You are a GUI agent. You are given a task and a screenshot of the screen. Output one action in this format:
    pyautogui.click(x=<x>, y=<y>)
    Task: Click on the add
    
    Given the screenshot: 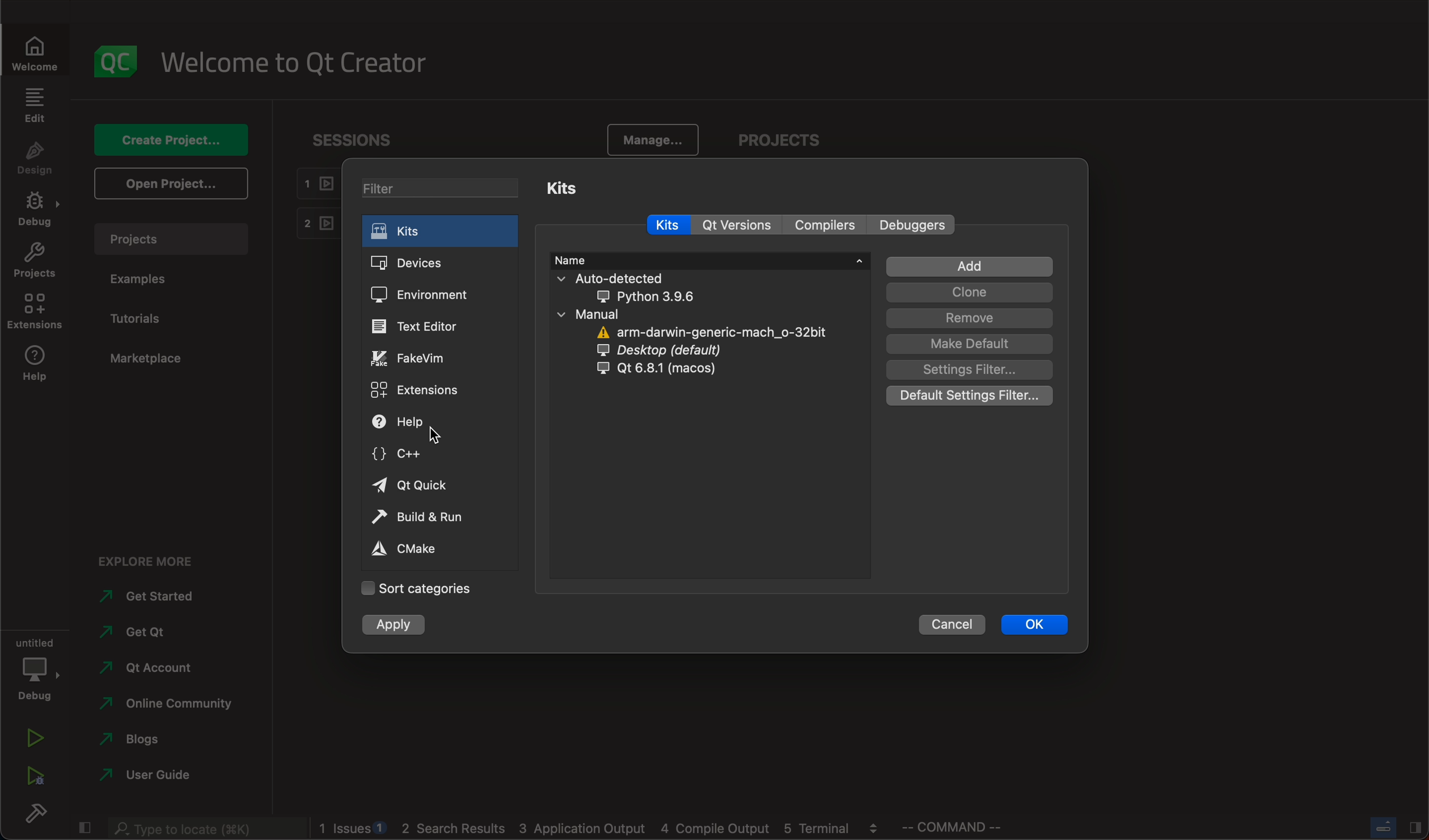 What is the action you would take?
    pyautogui.click(x=972, y=267)
    